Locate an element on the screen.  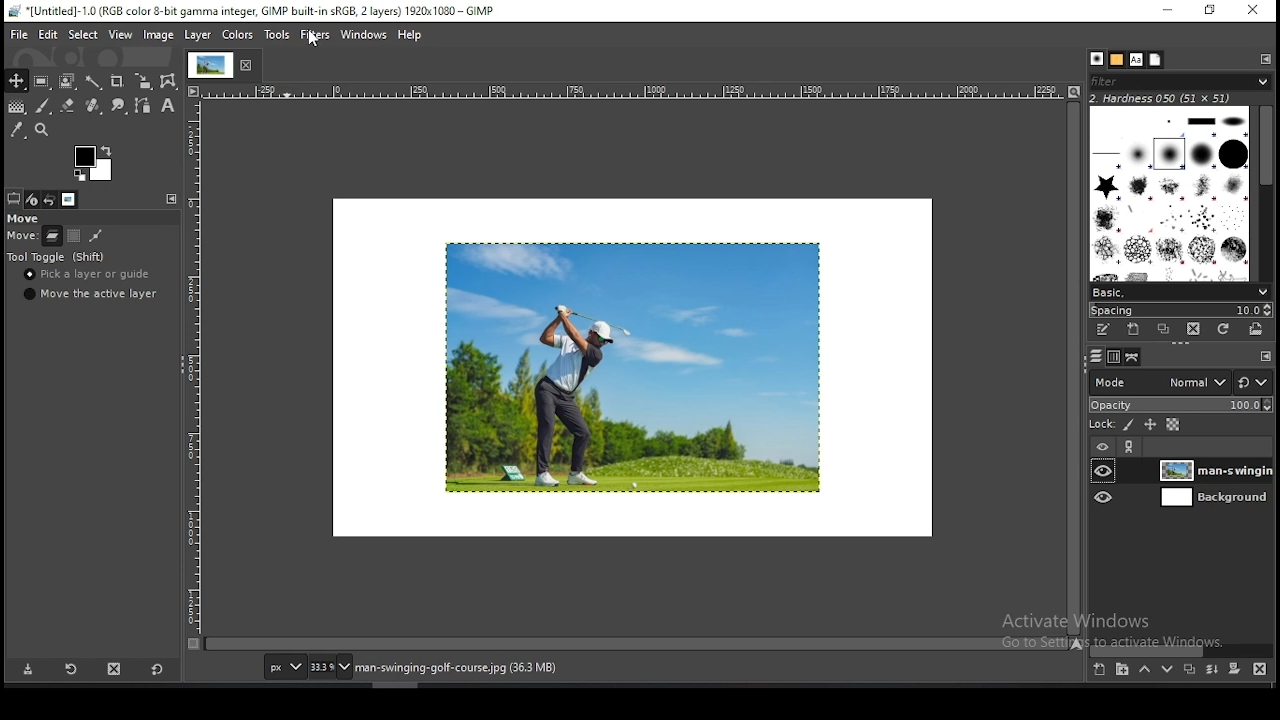
reset is located at coordinates (1255, 378).